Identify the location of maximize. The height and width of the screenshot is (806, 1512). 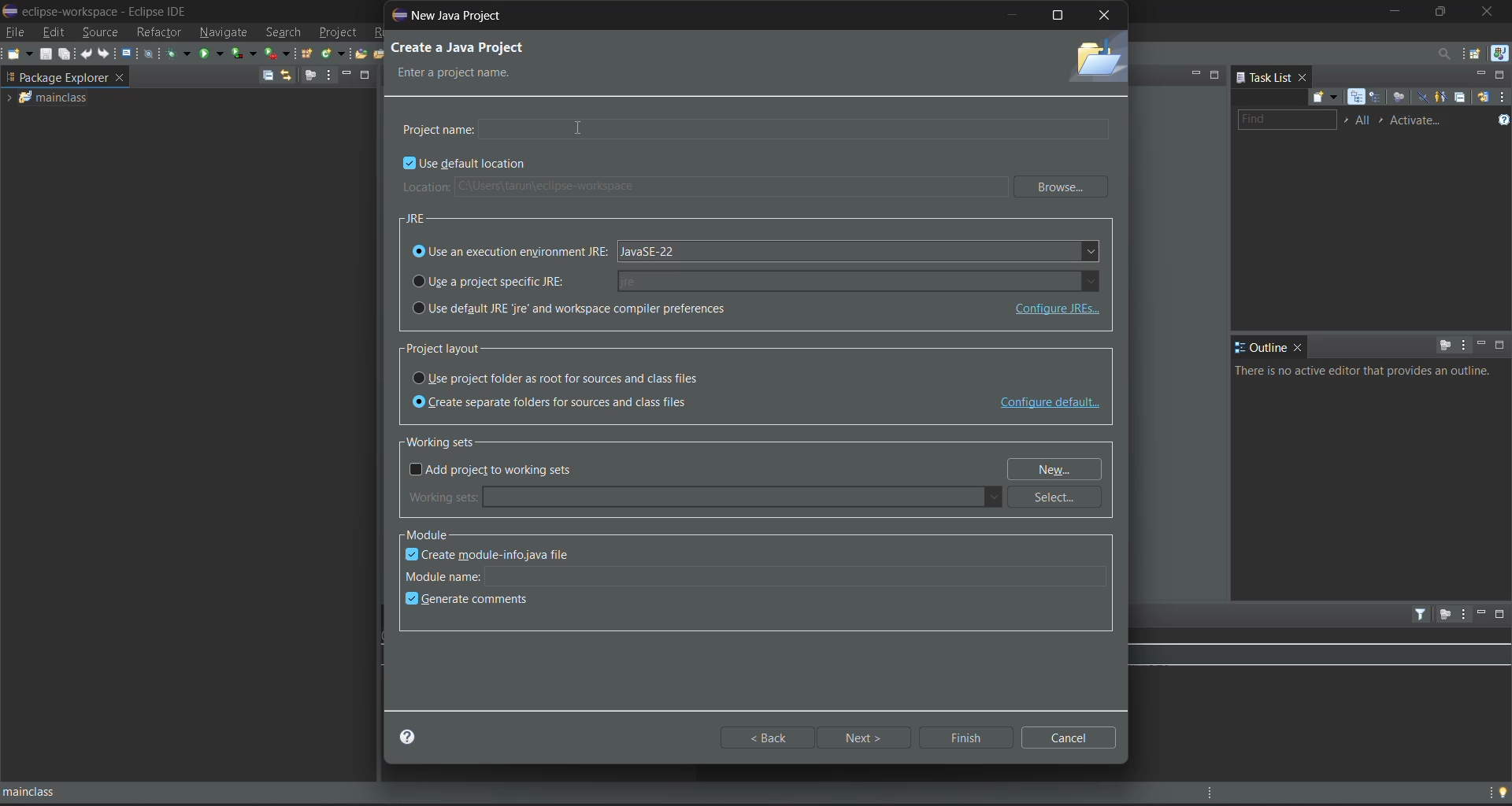
(366, 76).